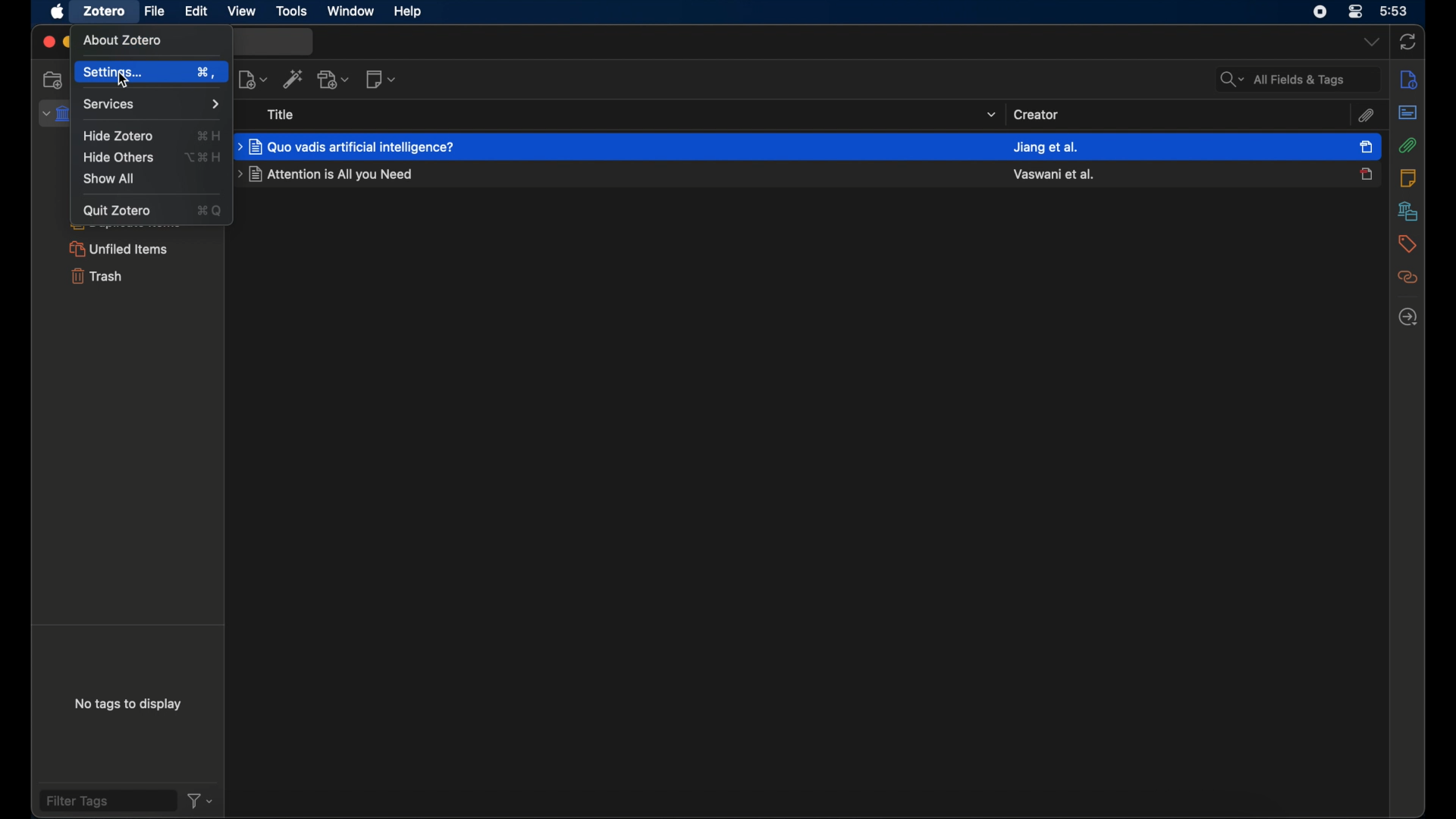  Describe the element at coordinates (1037, 115) in the screenshot. I see `creator` at that location.